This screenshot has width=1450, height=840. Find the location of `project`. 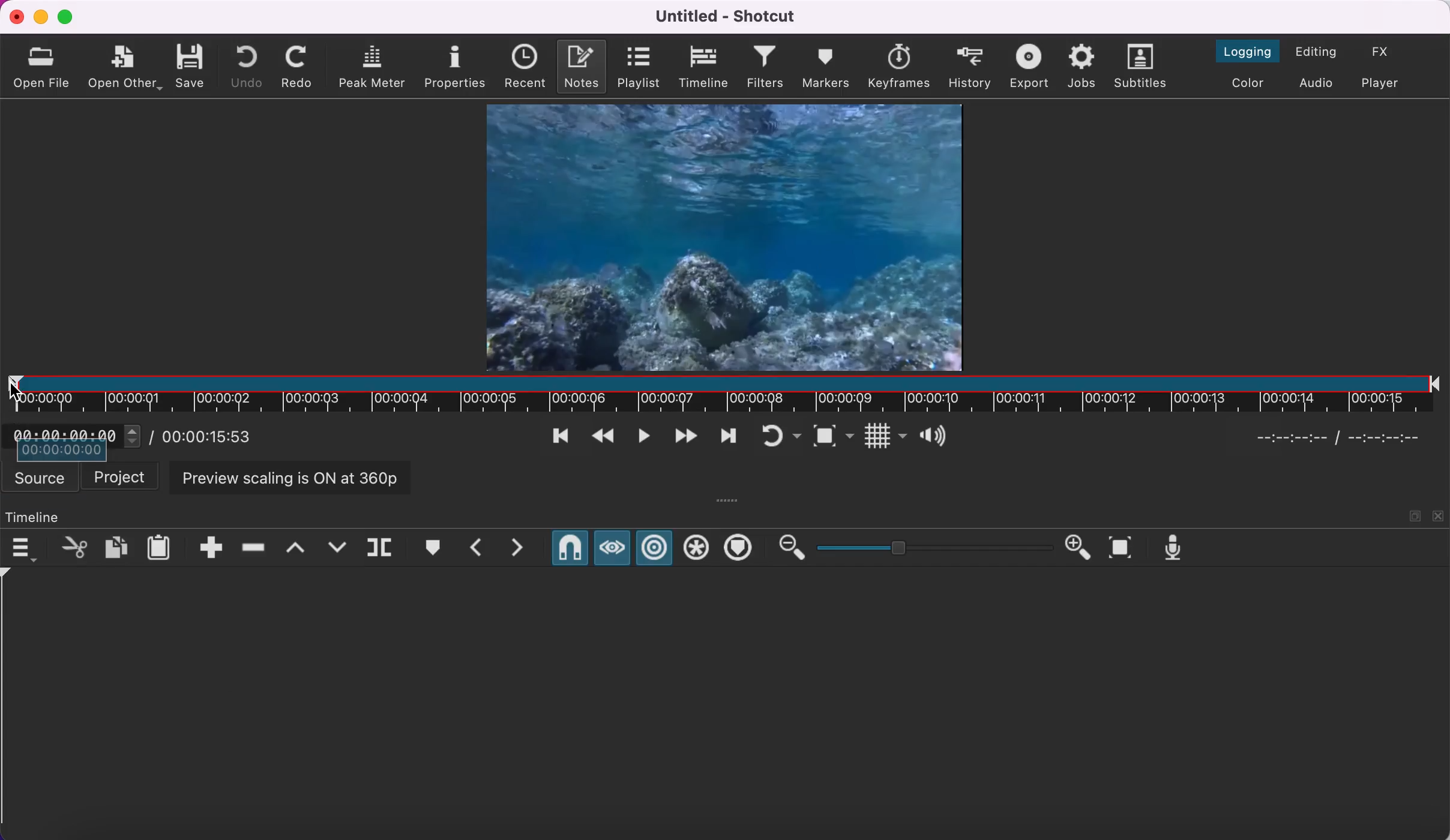

project is located at coordinates (121, 477).